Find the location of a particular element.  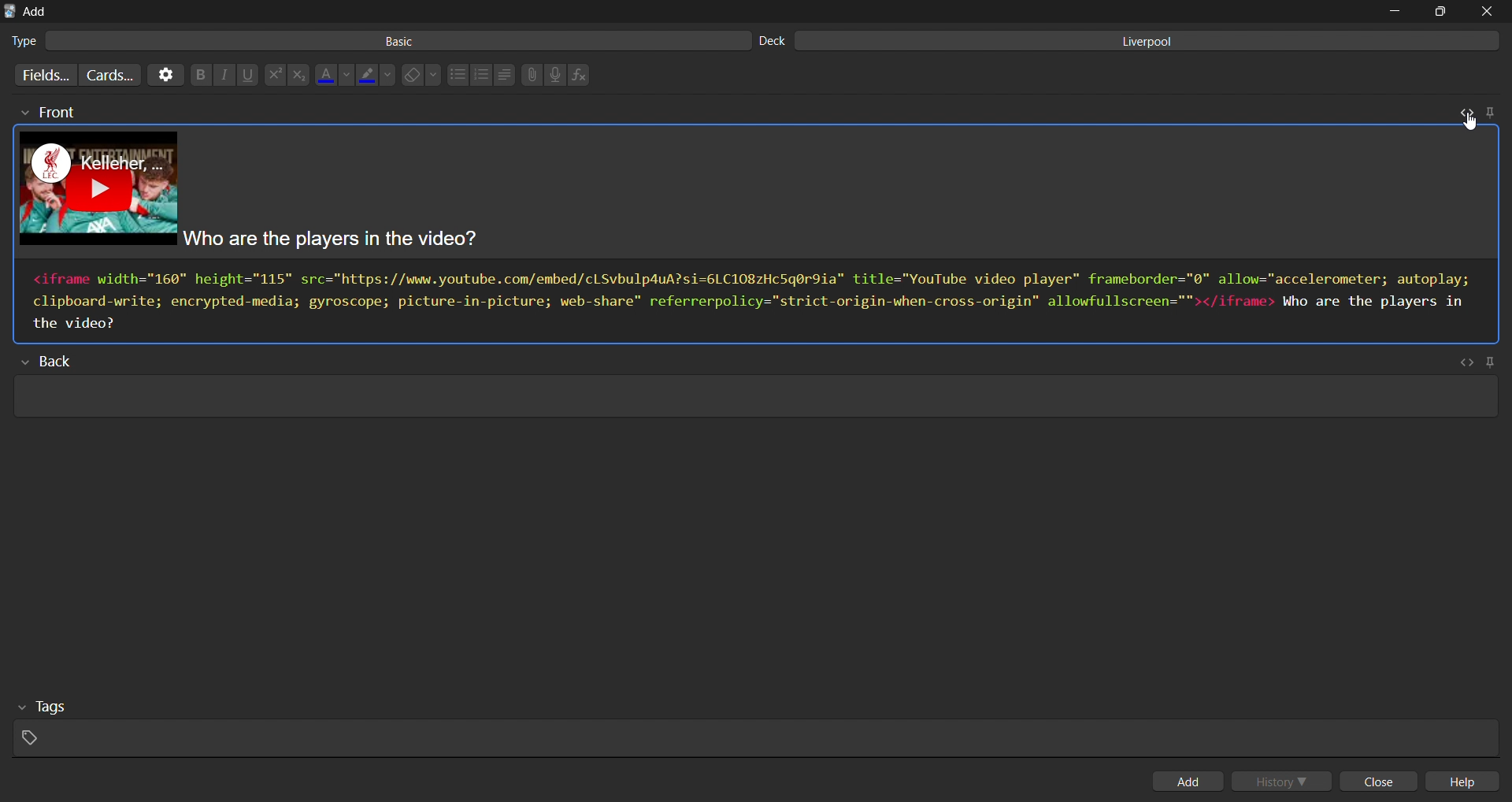

cursor is located at coordinates (1466, 121).